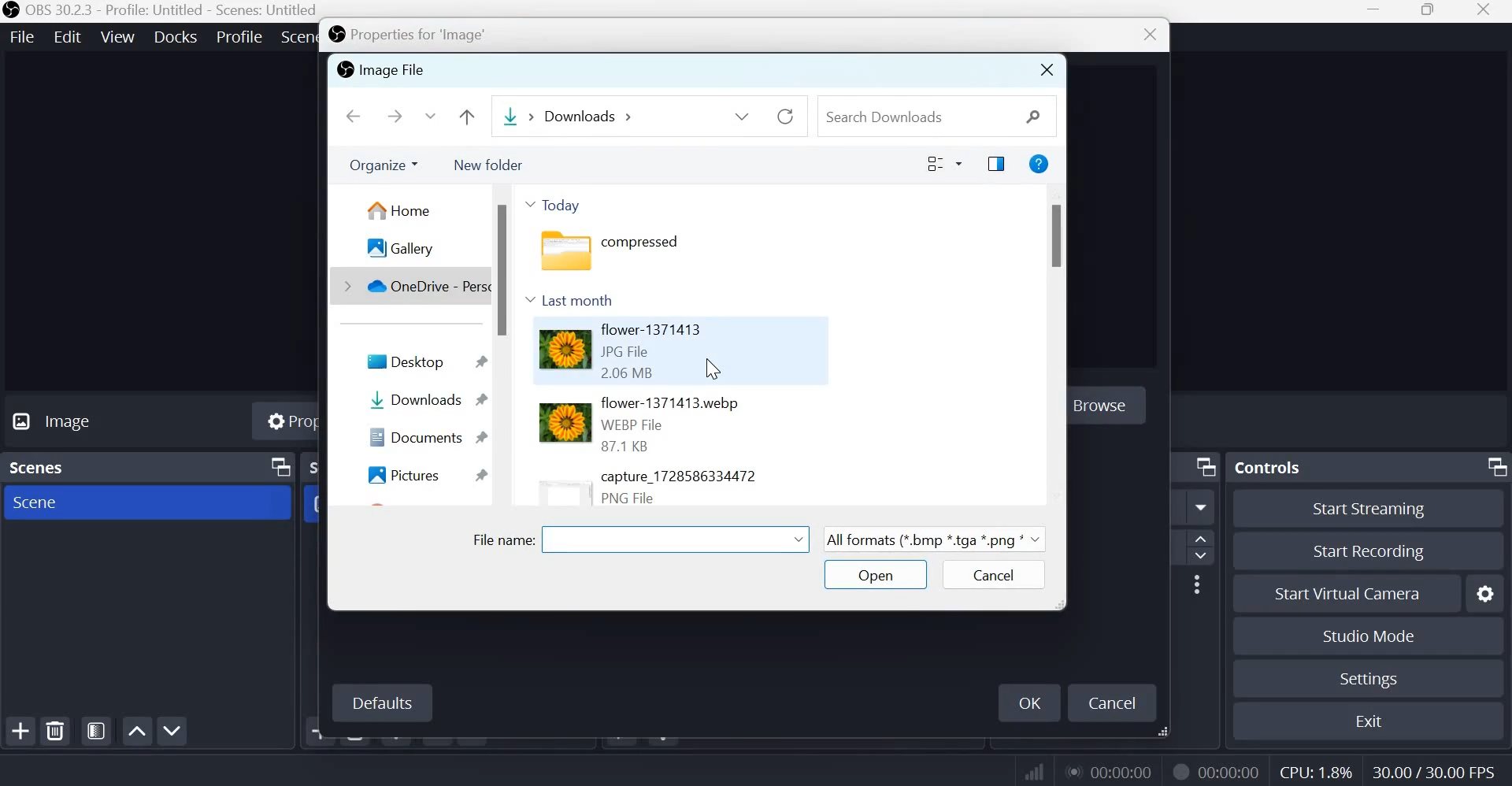 This screenshot has height=786, width=1512. I want to click on Search file names, so click(677, 543).